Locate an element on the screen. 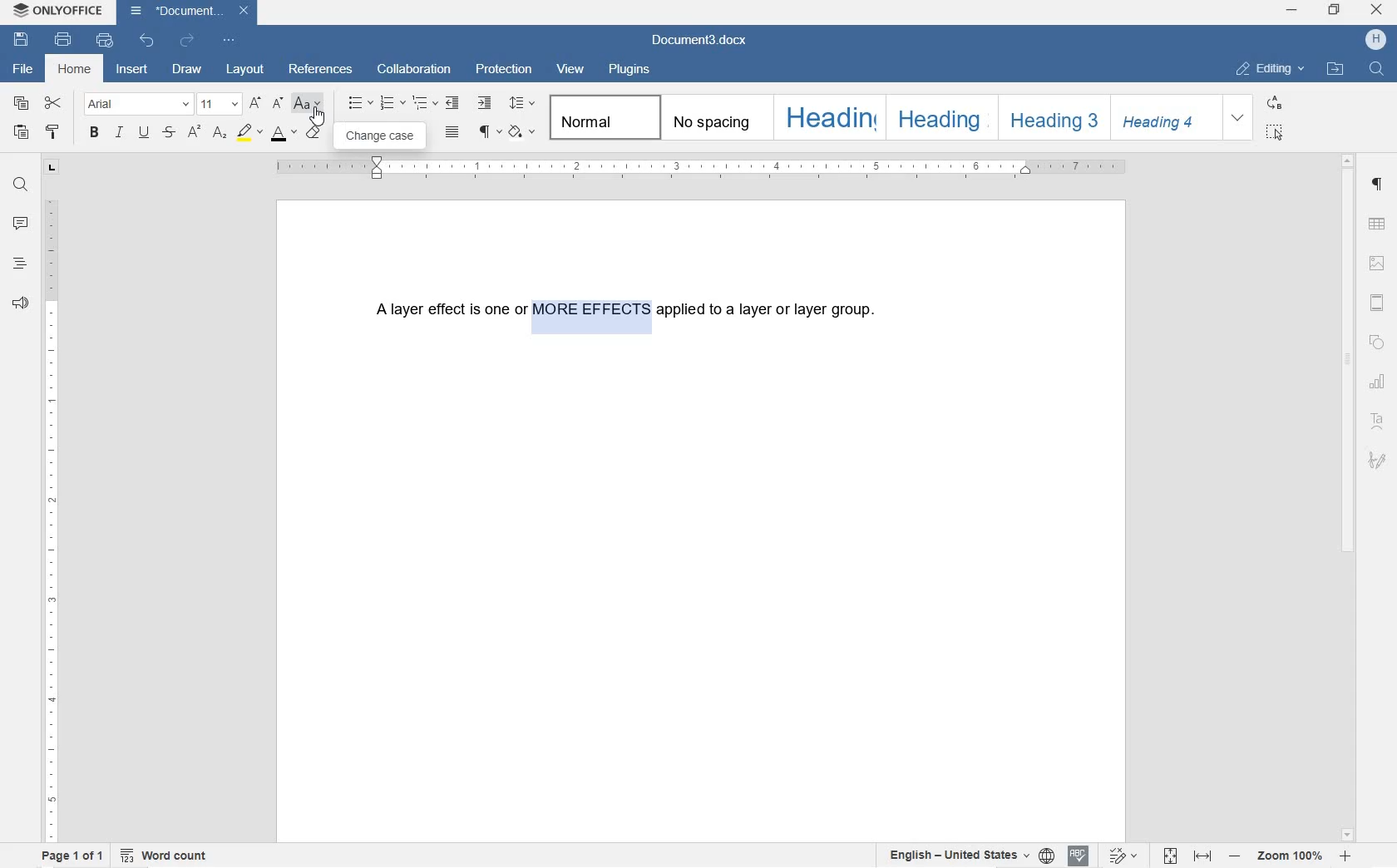 Image resolution: width=1397 pixels, height=868 pixels. SAVE is located at coordinates (23, 41).